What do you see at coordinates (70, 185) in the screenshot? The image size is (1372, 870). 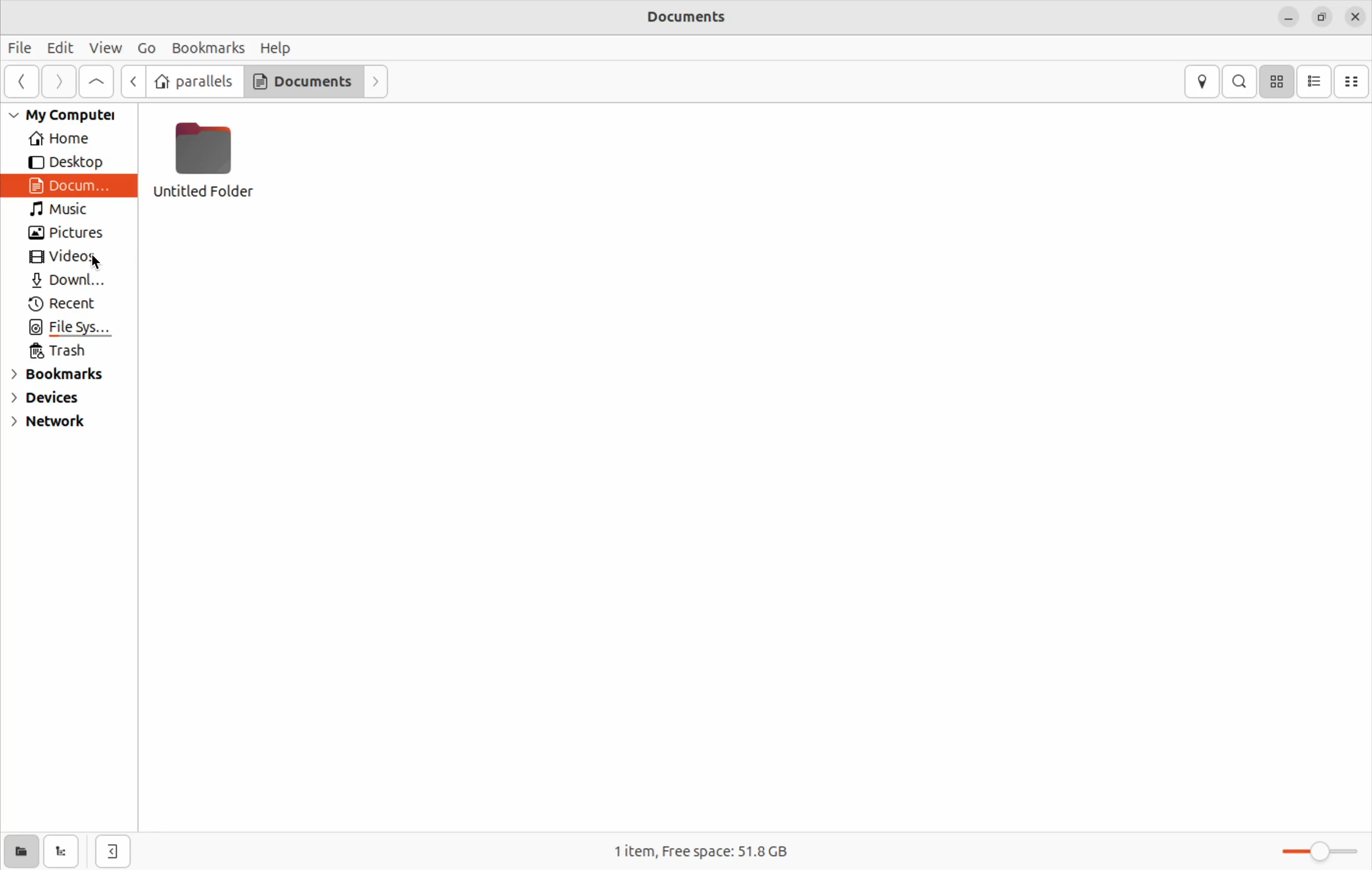 I see `Documents` at bounding box center [70, 185].